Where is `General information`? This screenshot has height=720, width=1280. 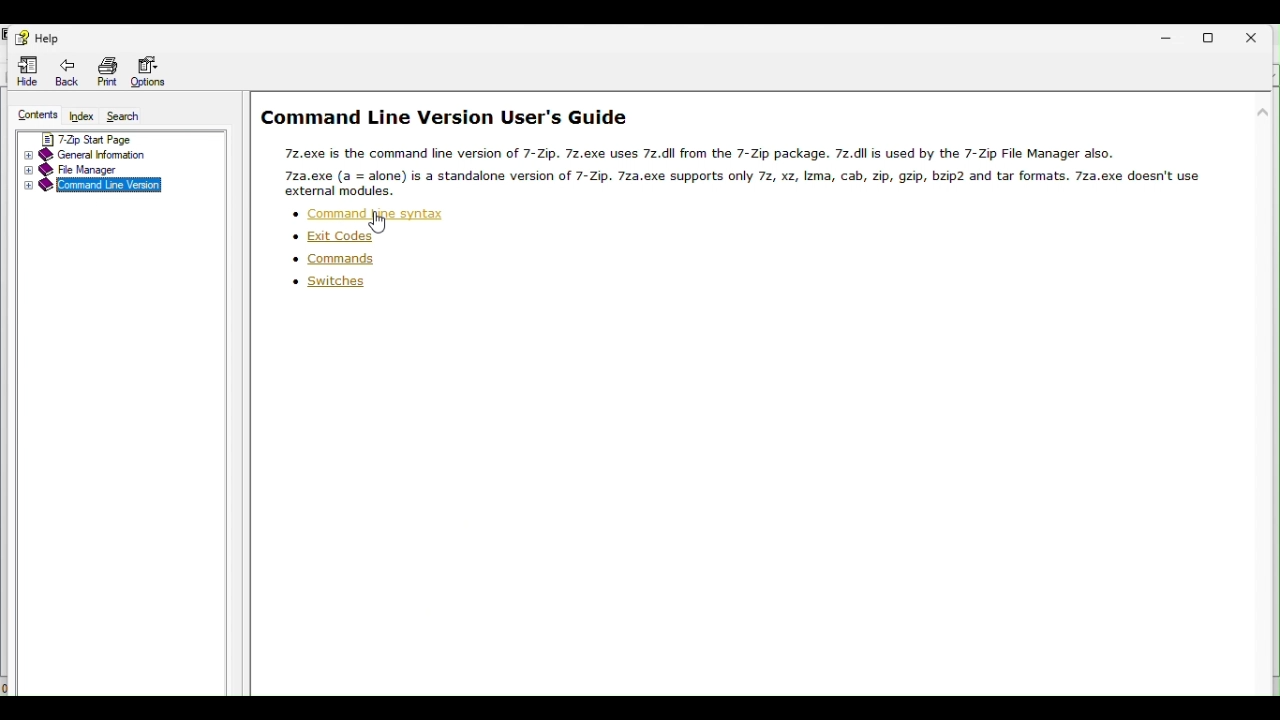 General information is located at coordinates (100, 153).